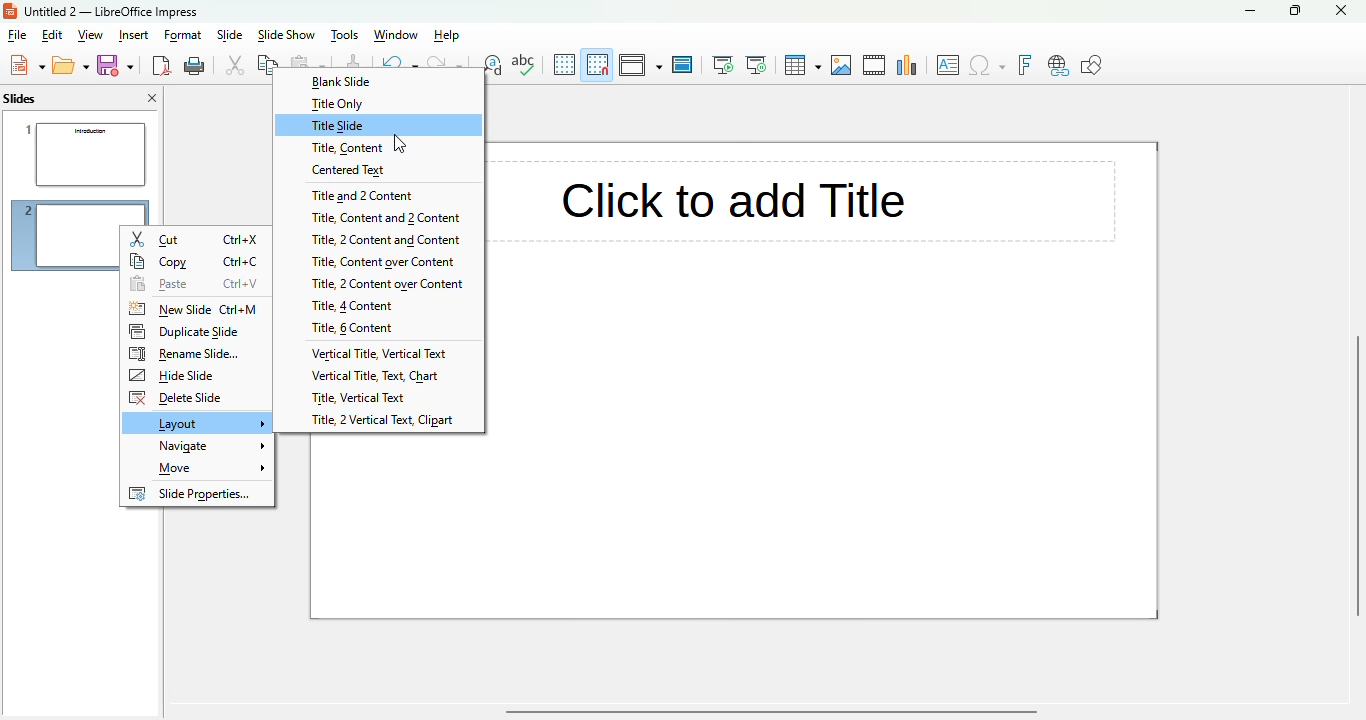 The image size is (1366, 720). I want to click on close, so click(1340, 10).